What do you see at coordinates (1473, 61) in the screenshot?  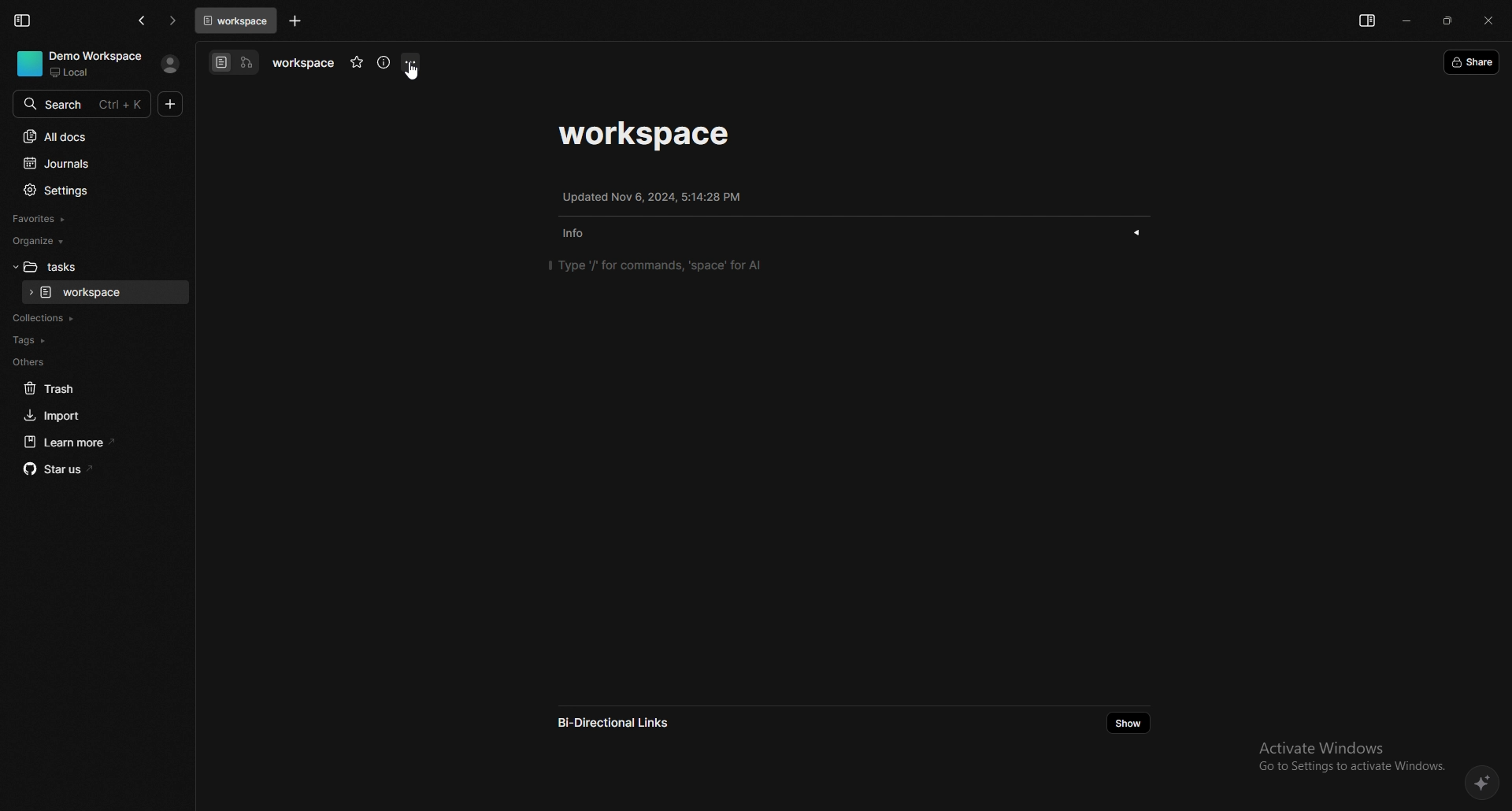 I see `share` at bounding box center [1473, 61].